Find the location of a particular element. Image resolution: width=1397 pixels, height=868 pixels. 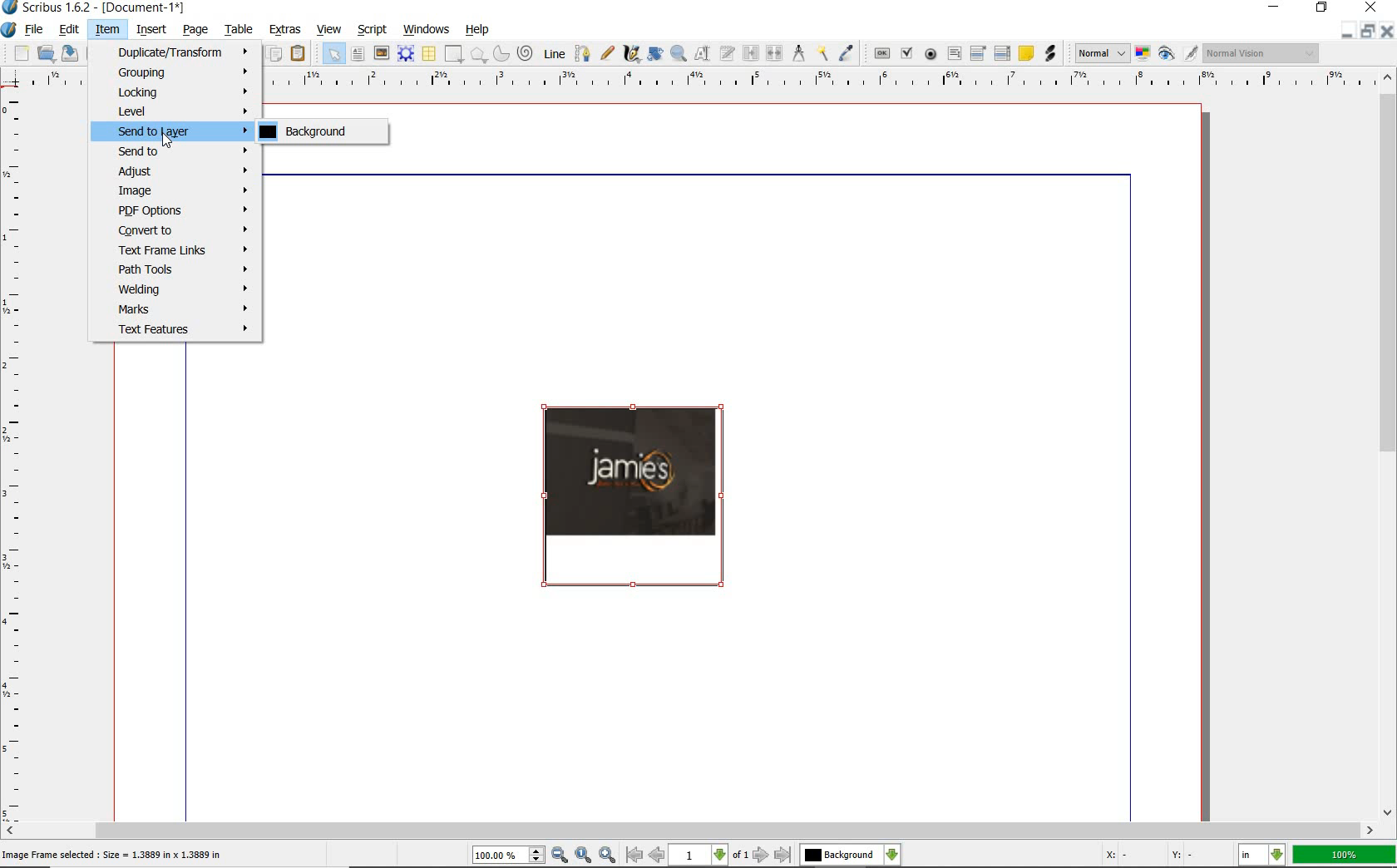

Zoom Out is located at coordinates (560, 855).